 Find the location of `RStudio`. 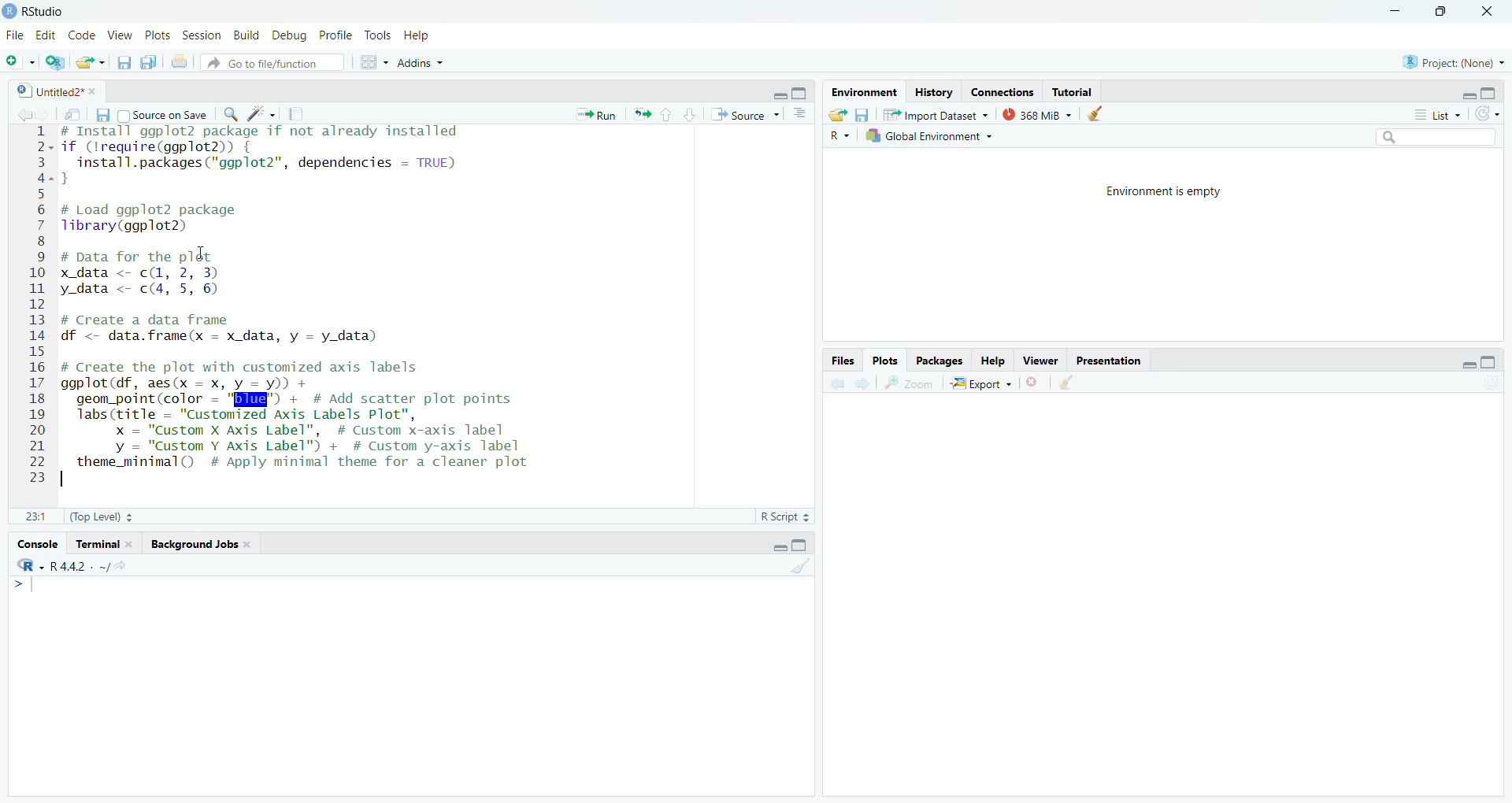

RStudio is located at coordinates (38, 9).